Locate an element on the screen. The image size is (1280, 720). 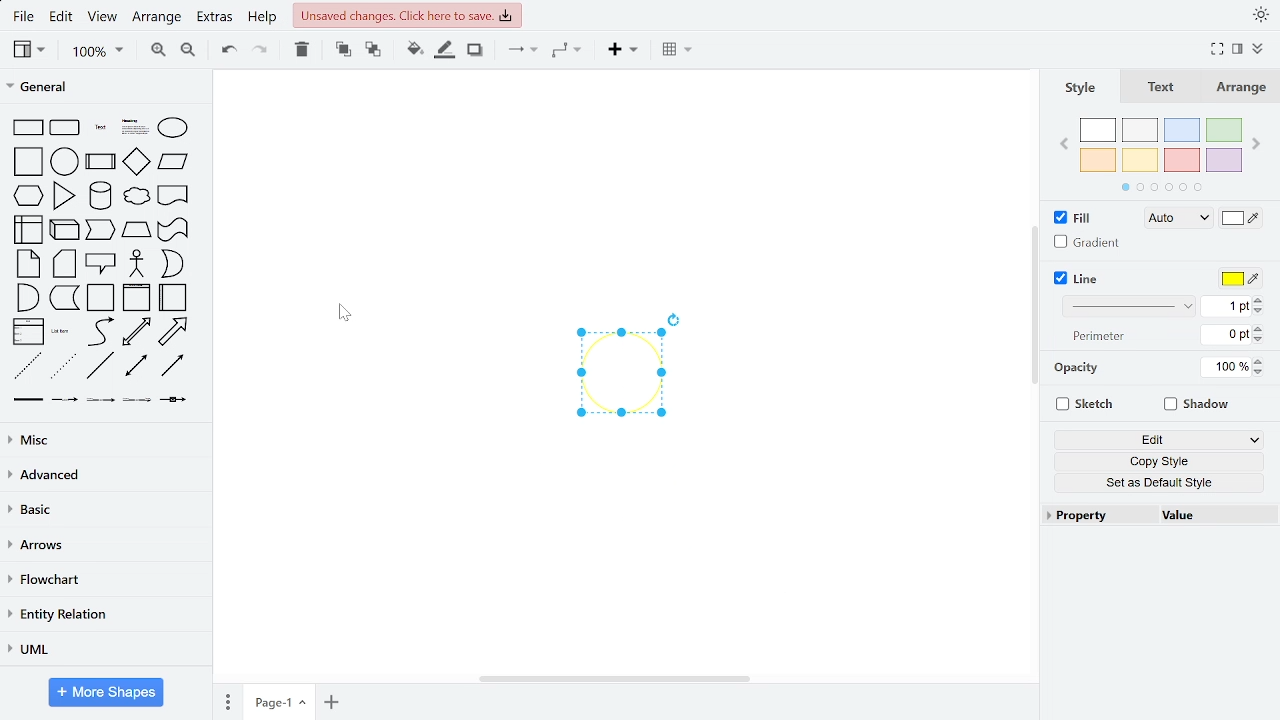
arrows is located at coordinates (104, 544).